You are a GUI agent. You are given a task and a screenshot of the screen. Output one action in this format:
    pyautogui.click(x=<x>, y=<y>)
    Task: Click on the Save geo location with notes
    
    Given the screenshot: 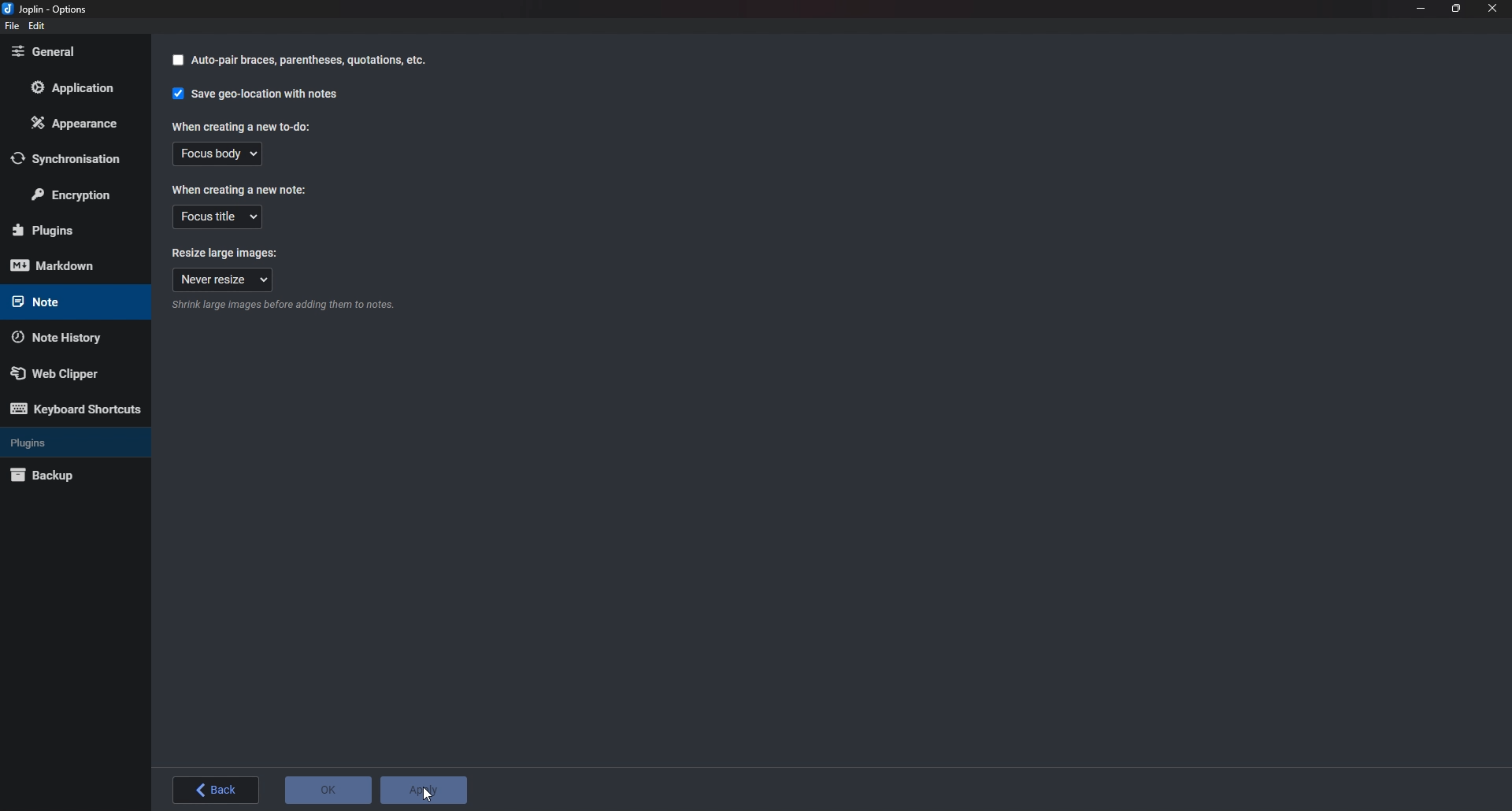 What is the action you would take?
    pyautogui.click(x=258, y=94)
    